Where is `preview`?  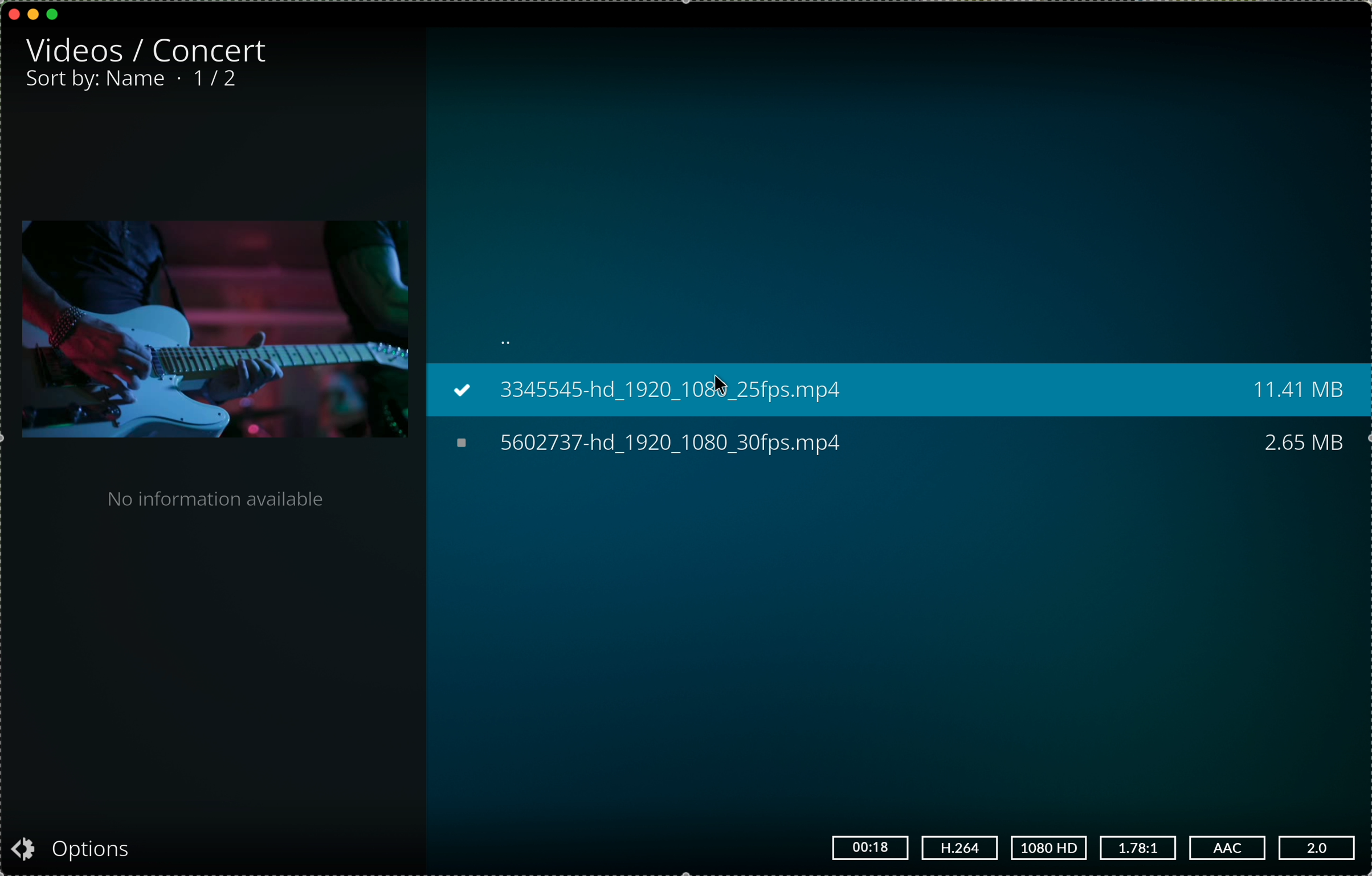
preview is located at coordinates (213, 331).